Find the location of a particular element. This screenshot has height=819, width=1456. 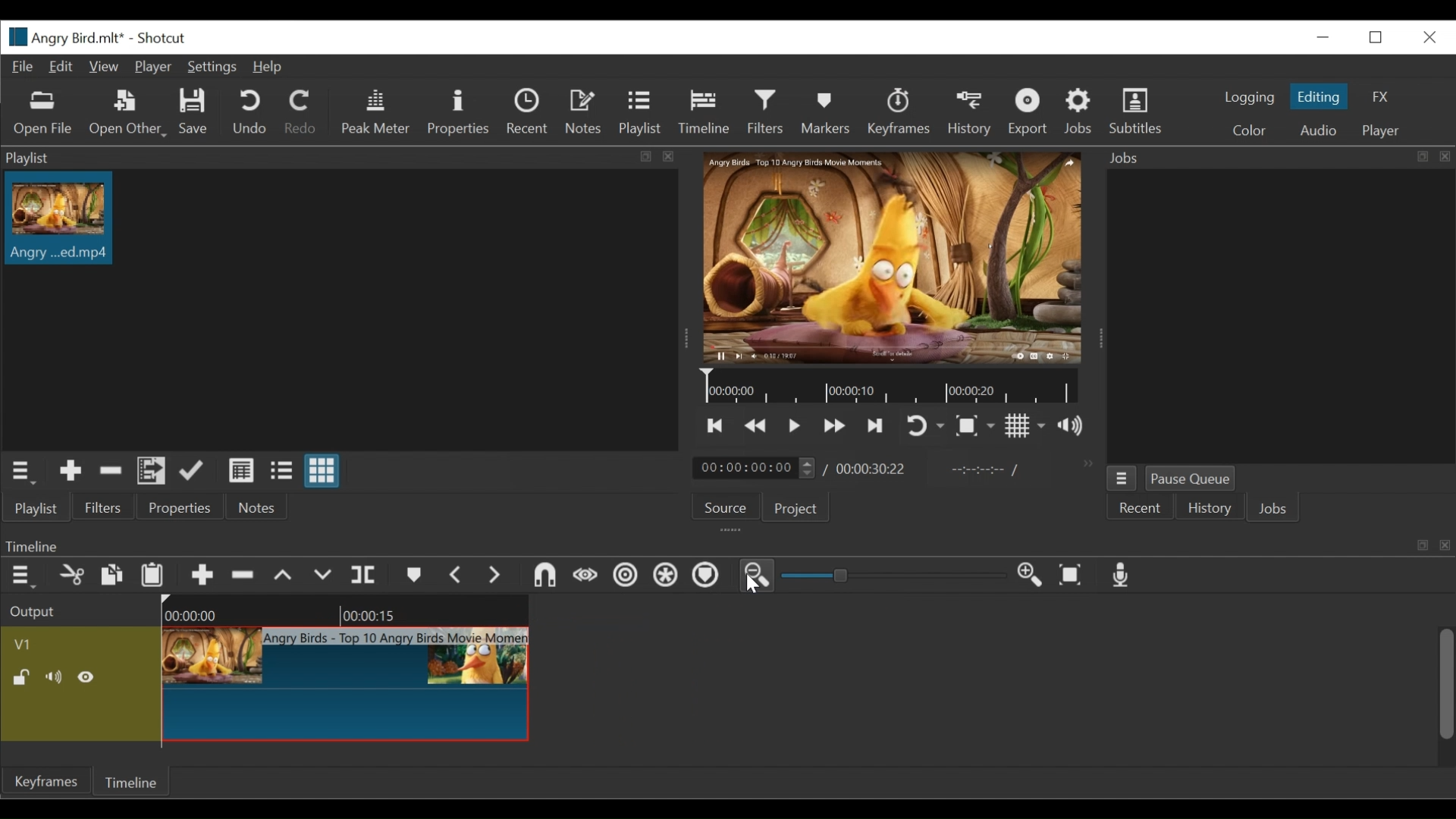

File name is located at coordinates (62, 37).